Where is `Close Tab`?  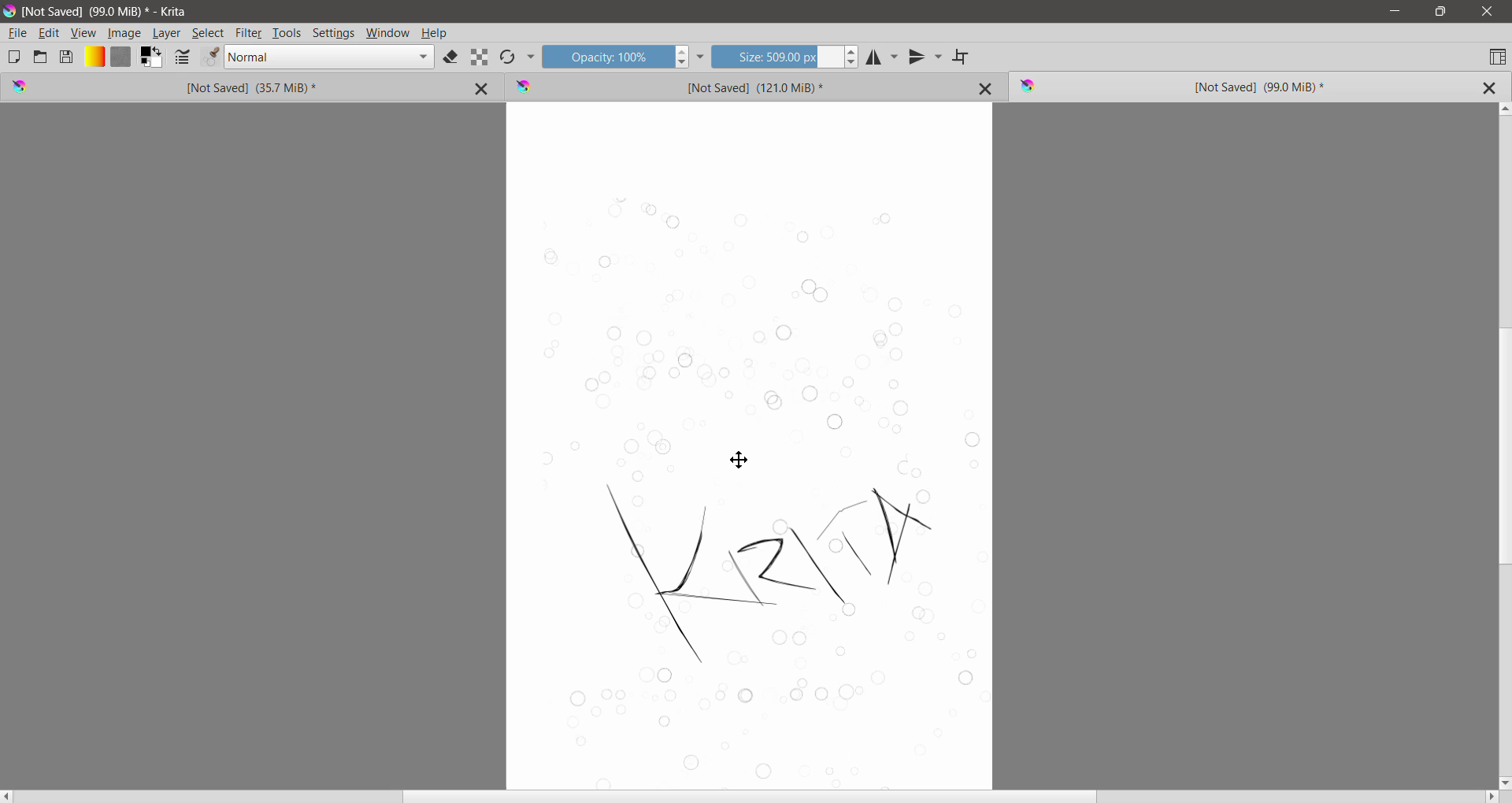
Close Tab is located at coordinates (1488, 88).